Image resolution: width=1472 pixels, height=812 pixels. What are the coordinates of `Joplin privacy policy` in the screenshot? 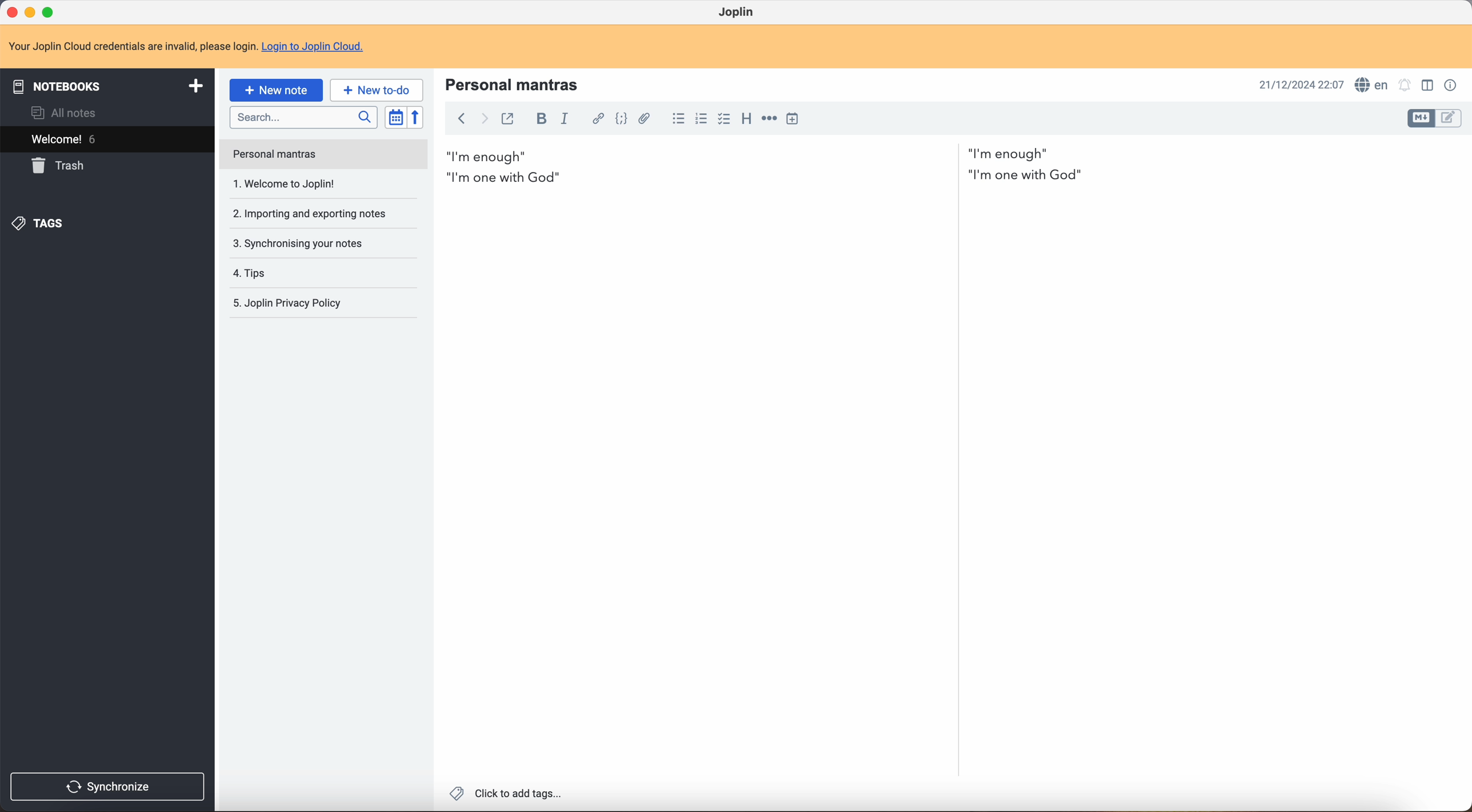 It's located at (291, 273).